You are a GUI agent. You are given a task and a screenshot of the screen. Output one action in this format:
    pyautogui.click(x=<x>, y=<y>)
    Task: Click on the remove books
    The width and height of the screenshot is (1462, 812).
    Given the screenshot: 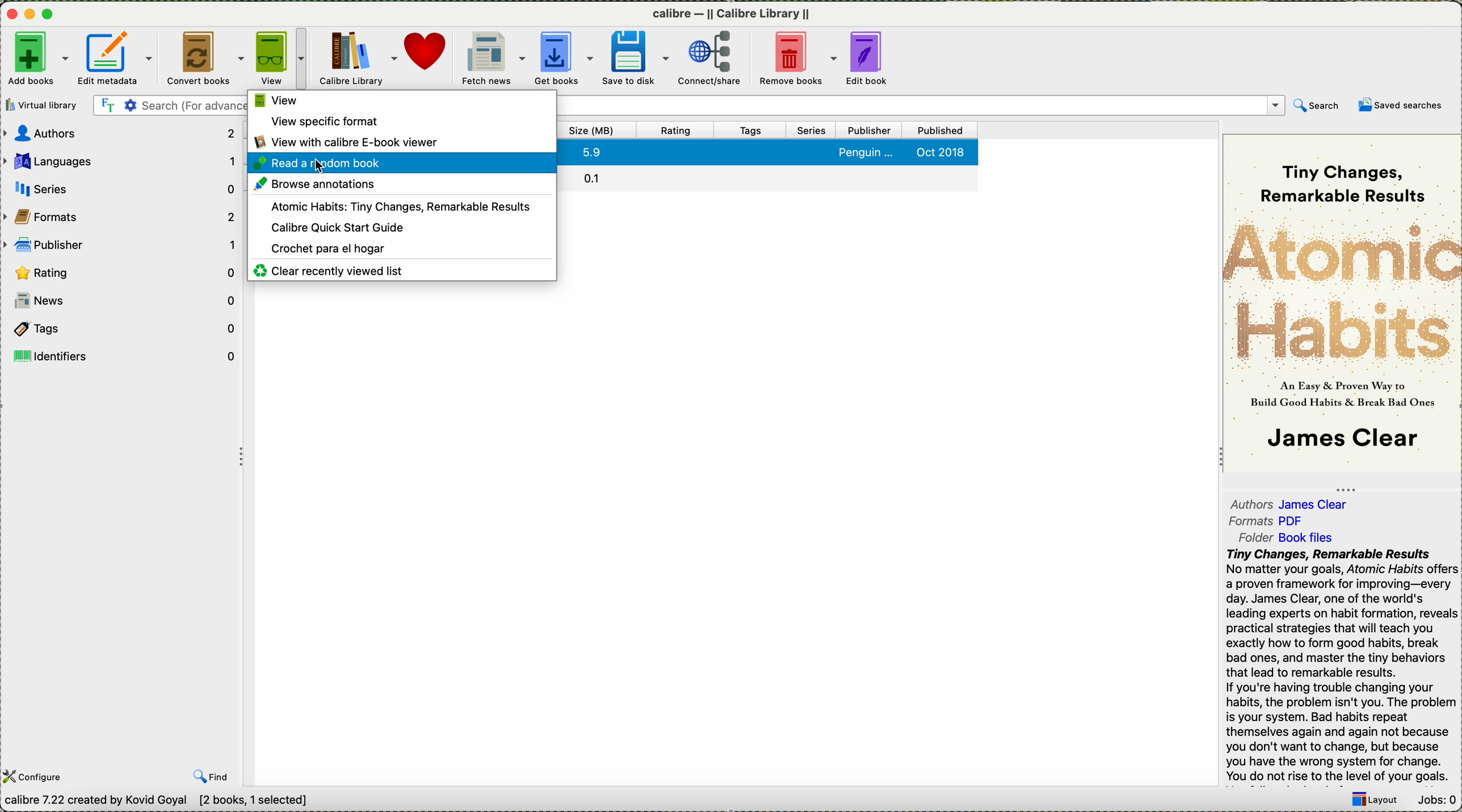 What is the action you would take?
    pyautogui.click(x=799, y=60)
    